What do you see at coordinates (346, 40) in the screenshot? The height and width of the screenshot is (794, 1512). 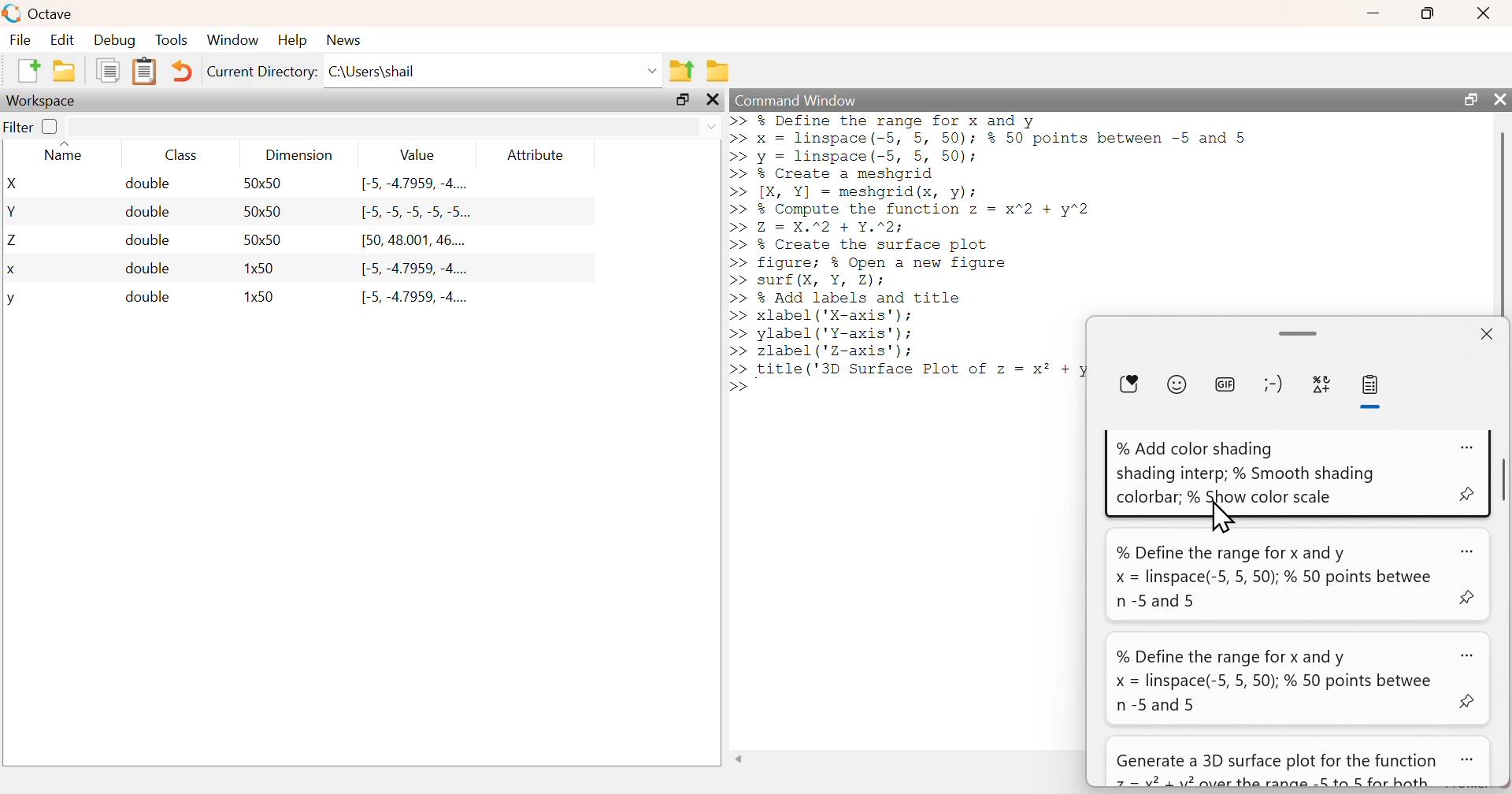 I see `News` at bounding box center [346, 40].